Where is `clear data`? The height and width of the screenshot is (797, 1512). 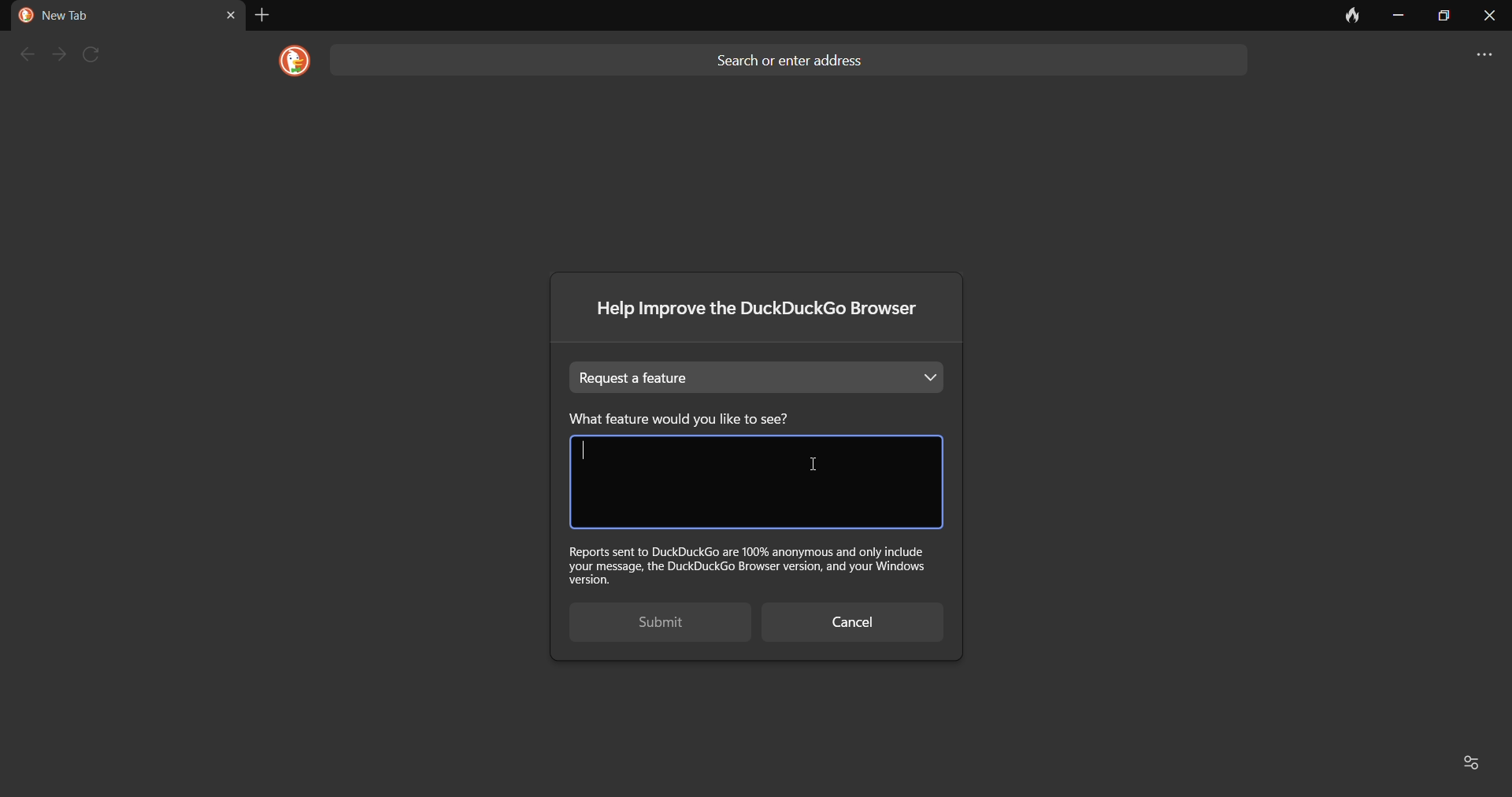 clear data is located at coordinates (1345, 20).